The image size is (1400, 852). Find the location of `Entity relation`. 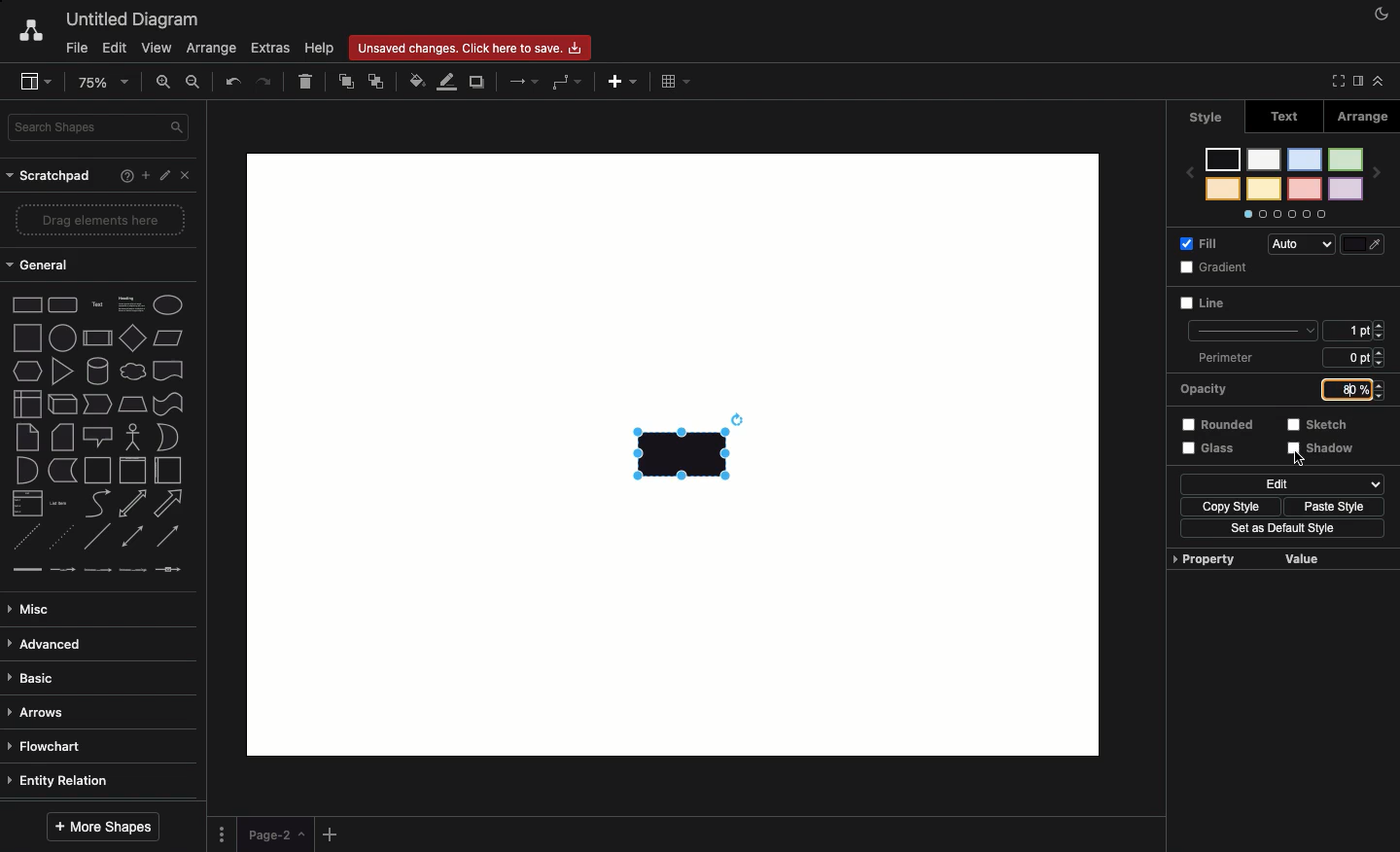

Entity relation is located at coordinates (60, 782).